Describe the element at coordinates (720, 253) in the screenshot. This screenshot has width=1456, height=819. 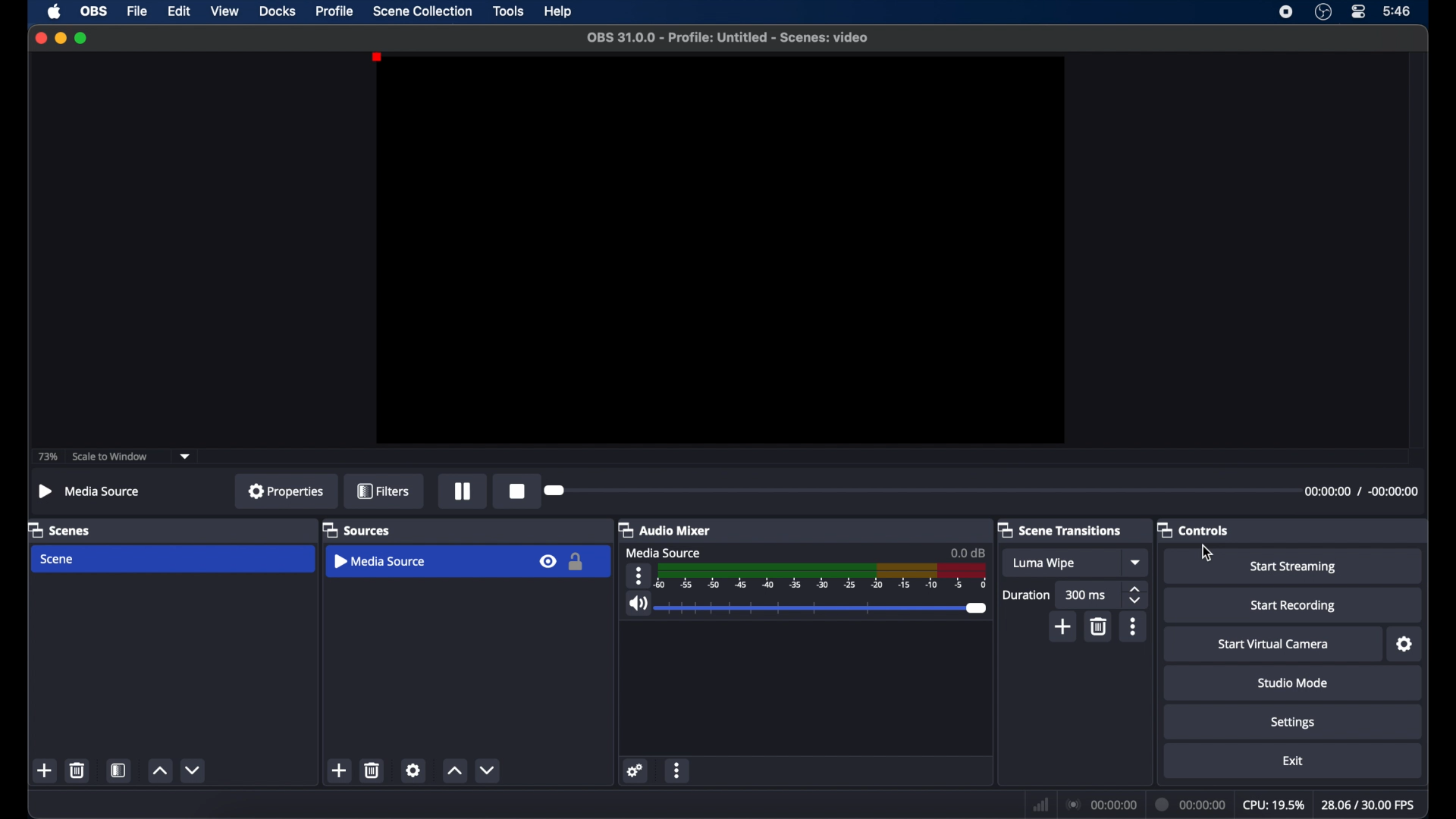
I see `preview` at that location.